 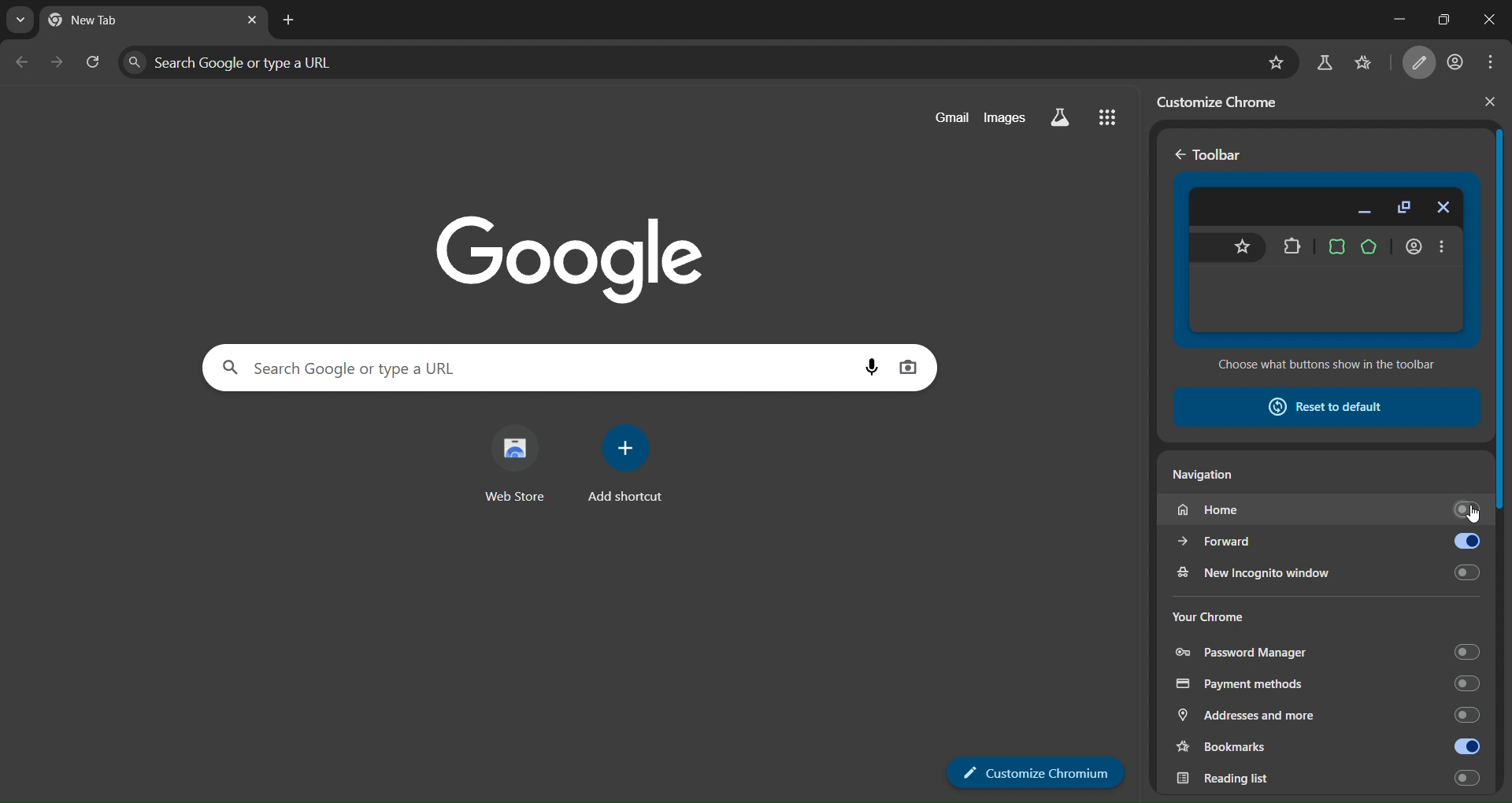 What do you see at coordinates (1325, 367) in the screenshot?
I see `Choose what buttons show in the toolbar` at bounding box center [1325, 367].